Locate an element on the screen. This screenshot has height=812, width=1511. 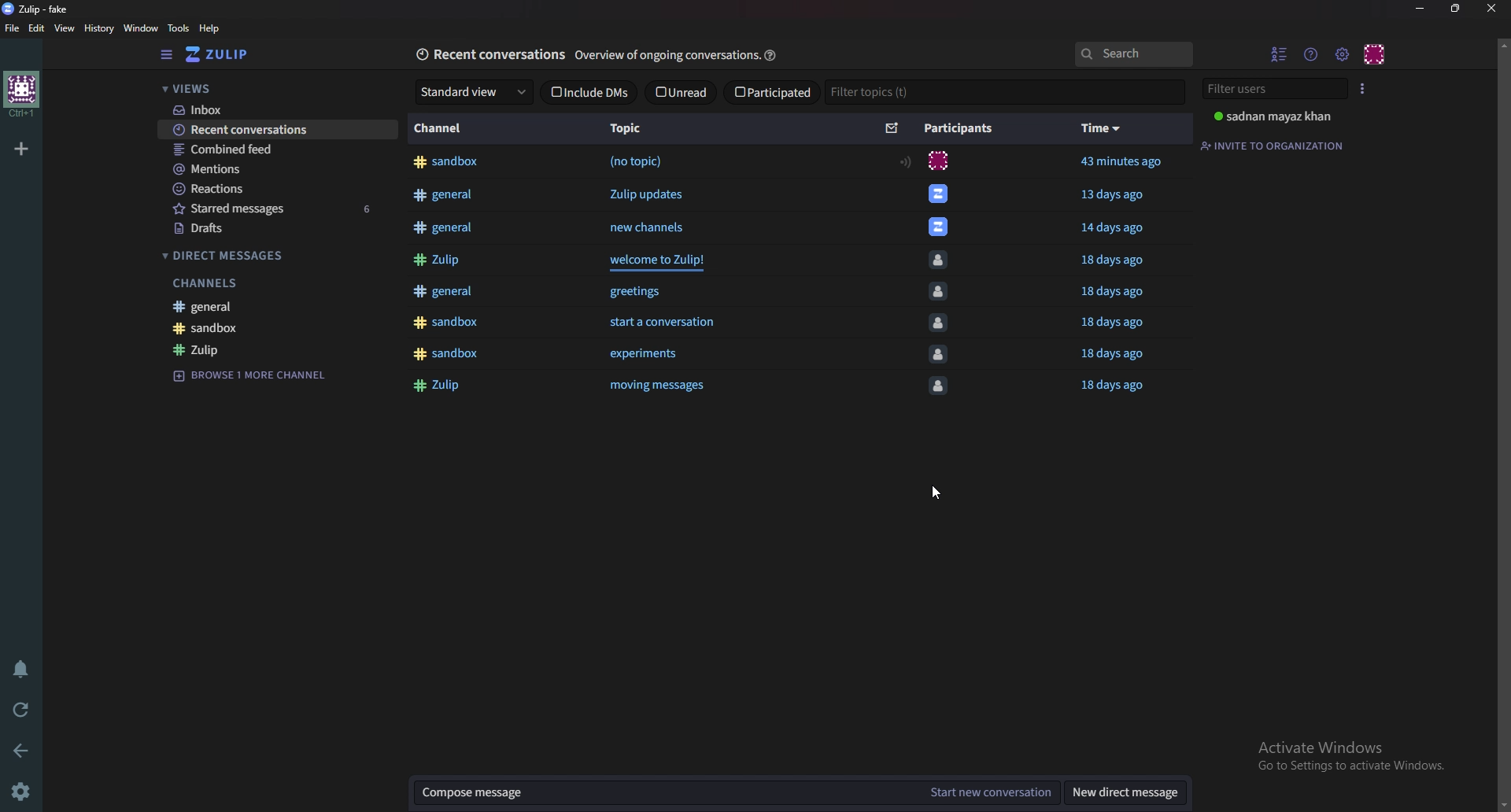
Direct messages is located at coordinates (274, 253).